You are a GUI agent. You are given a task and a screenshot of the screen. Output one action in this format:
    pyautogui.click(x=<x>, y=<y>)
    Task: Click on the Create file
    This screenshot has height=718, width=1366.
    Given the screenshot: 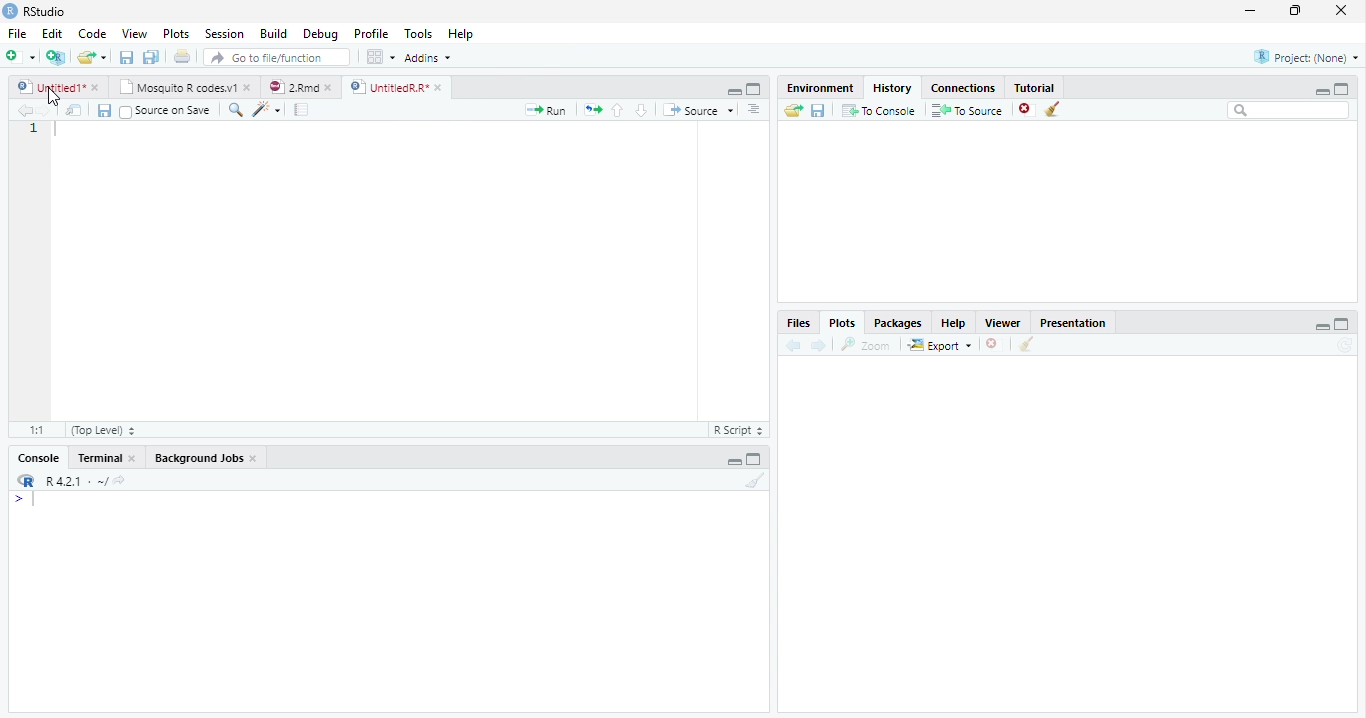 What is the action you would take?
    pyautogui.click(x=21, y=58)
    